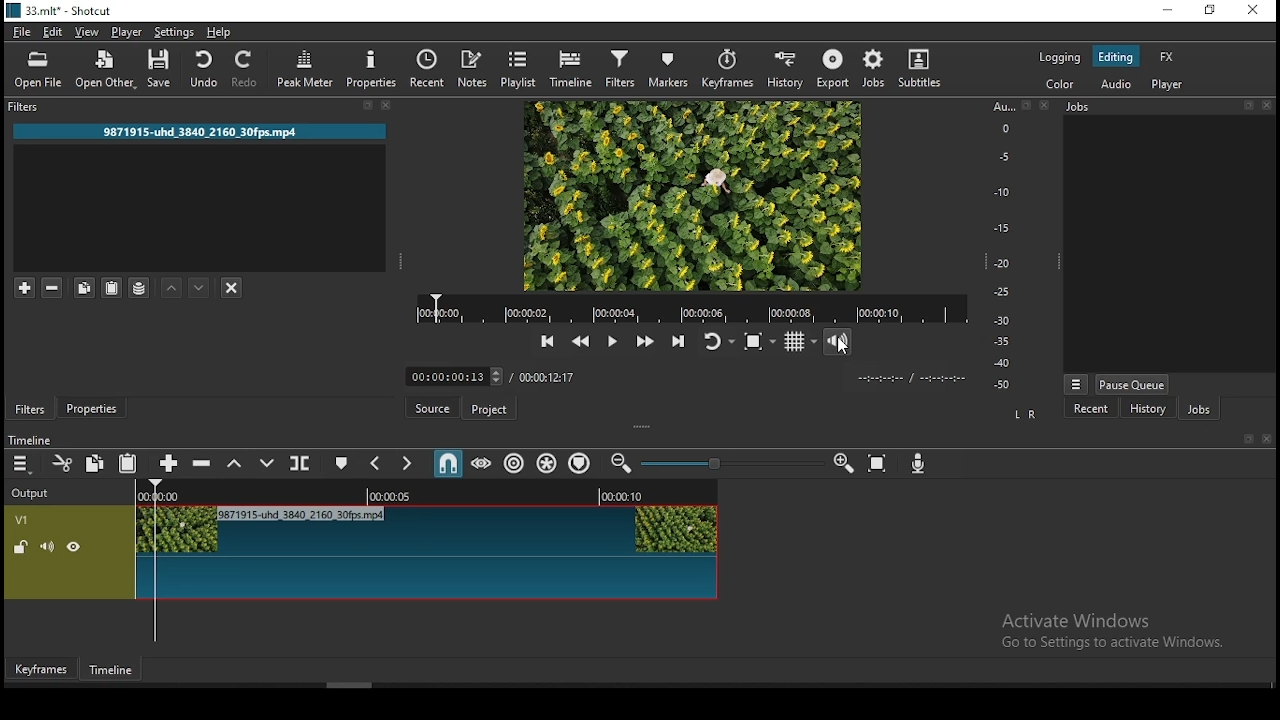 This screenshot has width=1280, height=720. Describe the element at coordinates (832, 71) in the screenshot. I see `export` at that location.